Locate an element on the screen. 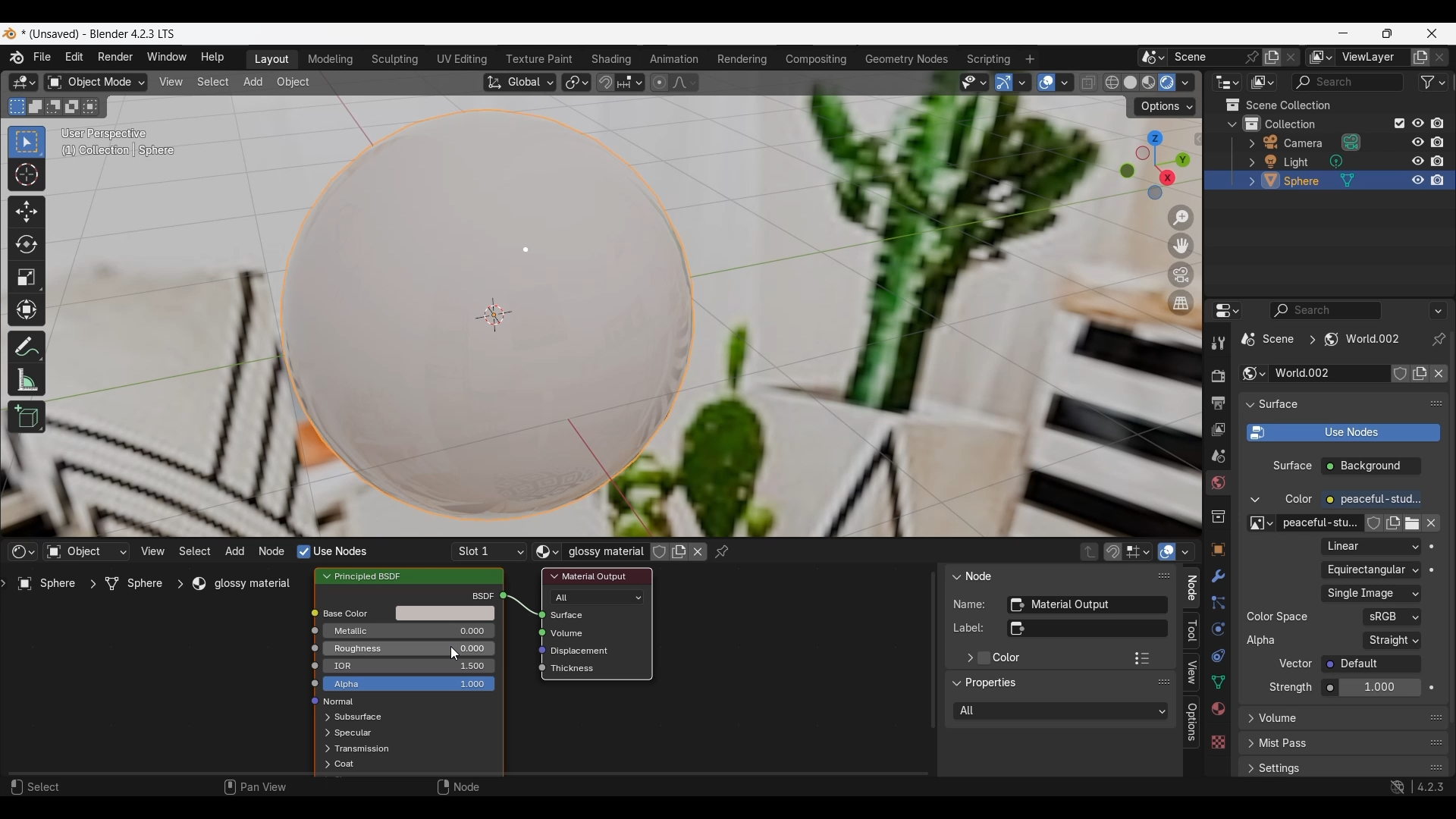 This screenshot has height=819, width=1456. Intersect existing selection is located at coordinates (90, 107).